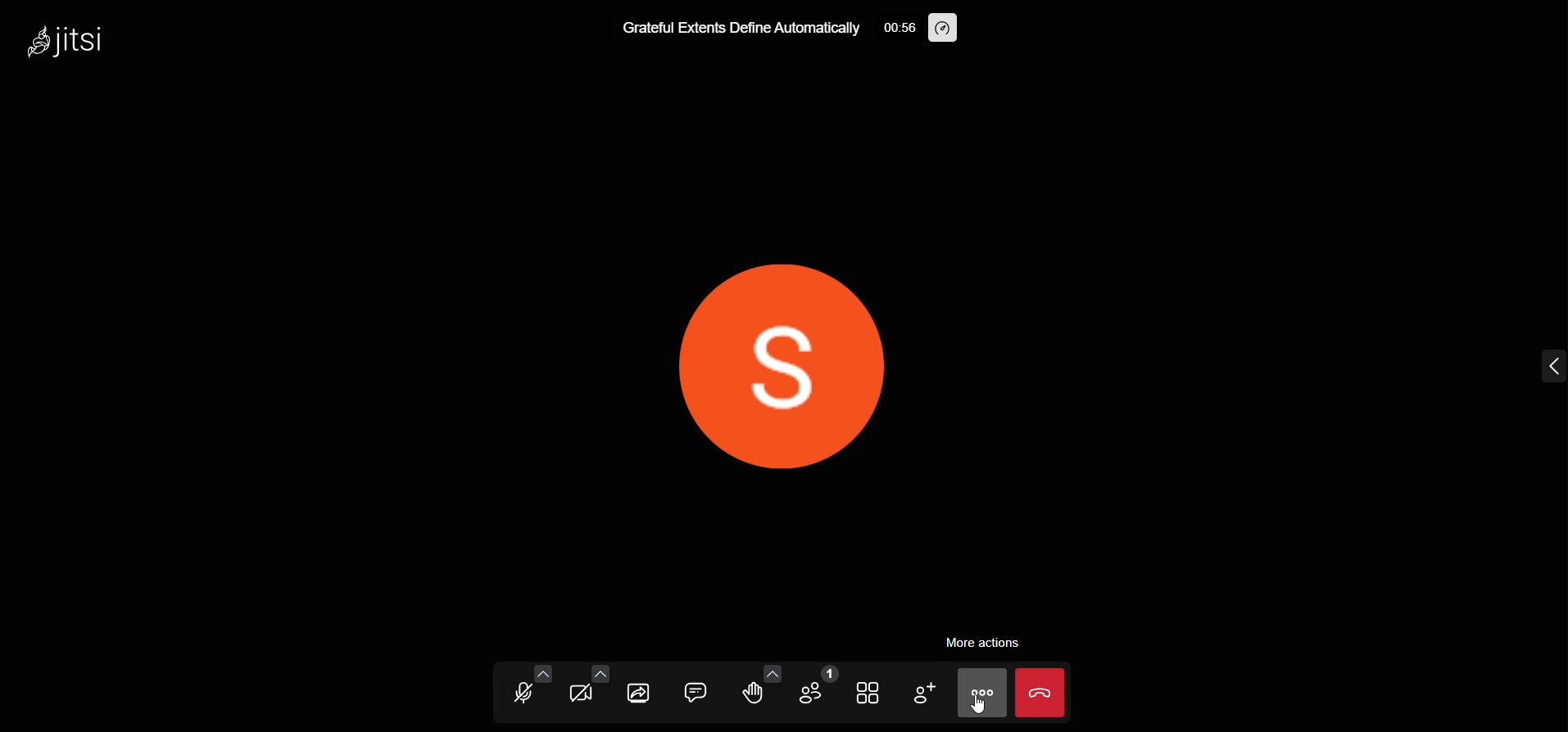  Describe the element at coordinates (600, 673) in the screenshot. I see `video setting` at that location.